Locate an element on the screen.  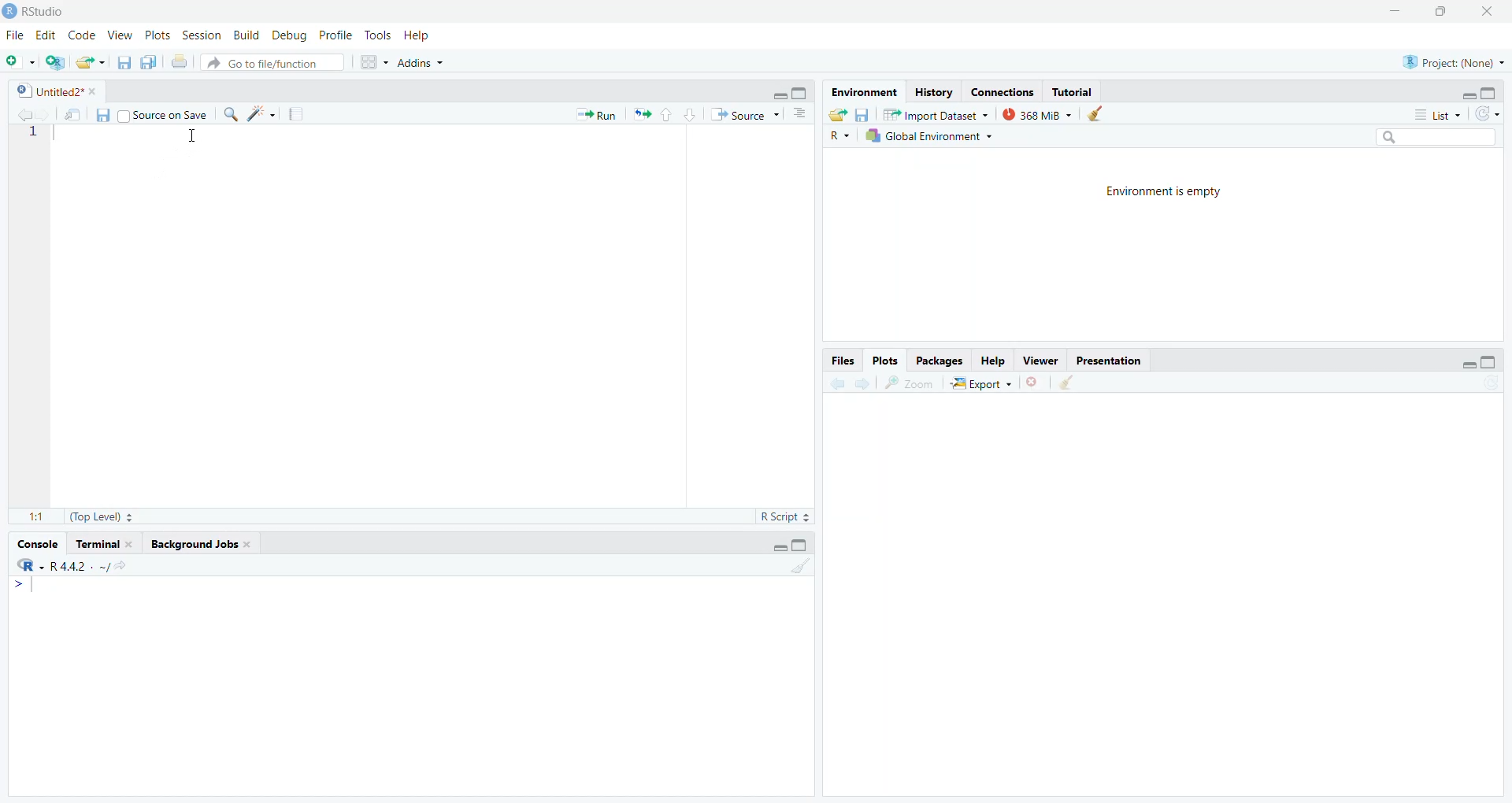
Project: (None) is located at coordinates (1449, 60).